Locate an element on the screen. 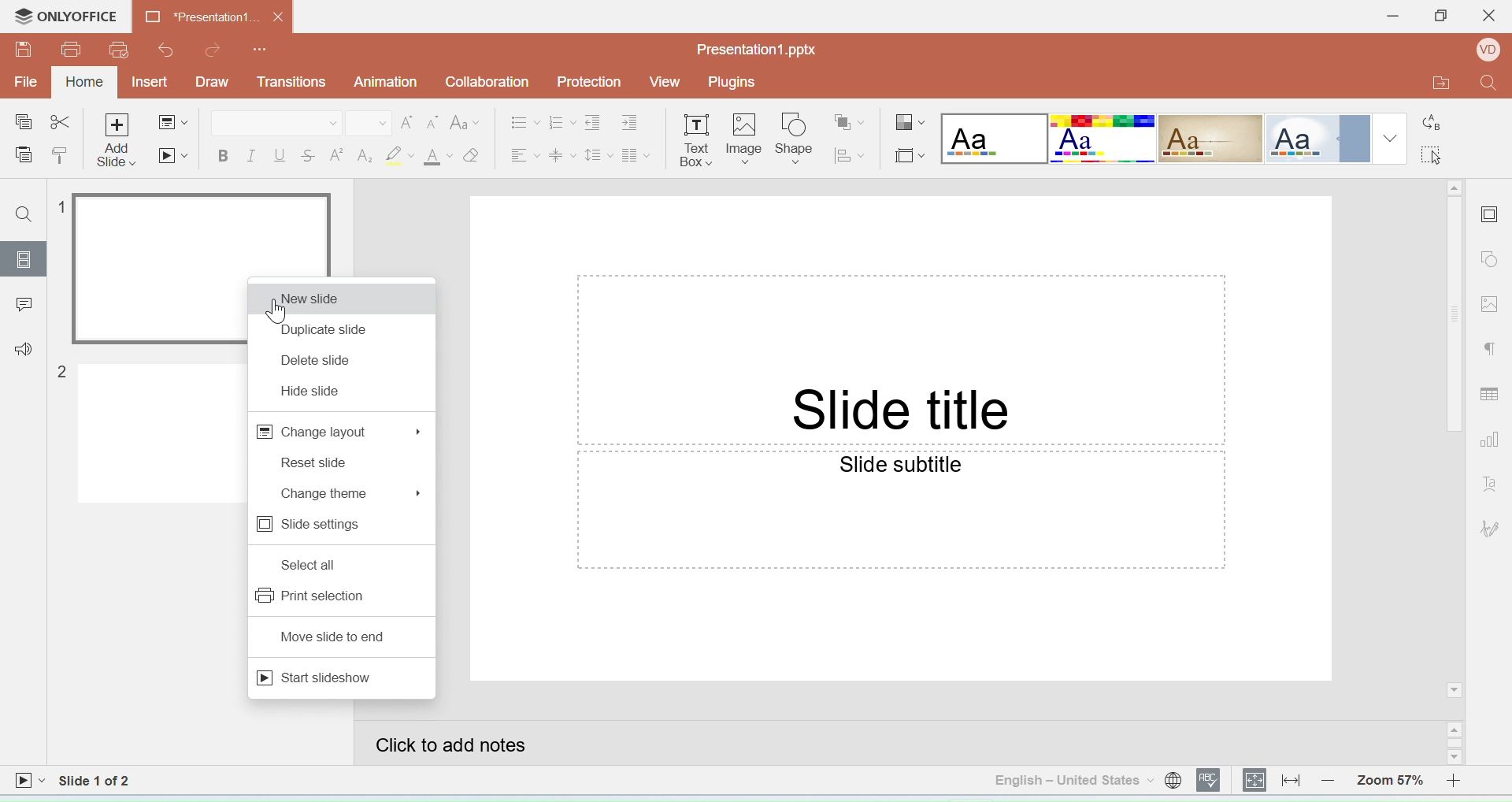 The width and height of the screenshot is (1512, 802). Text art settings is located at coordinates (1490, 483).